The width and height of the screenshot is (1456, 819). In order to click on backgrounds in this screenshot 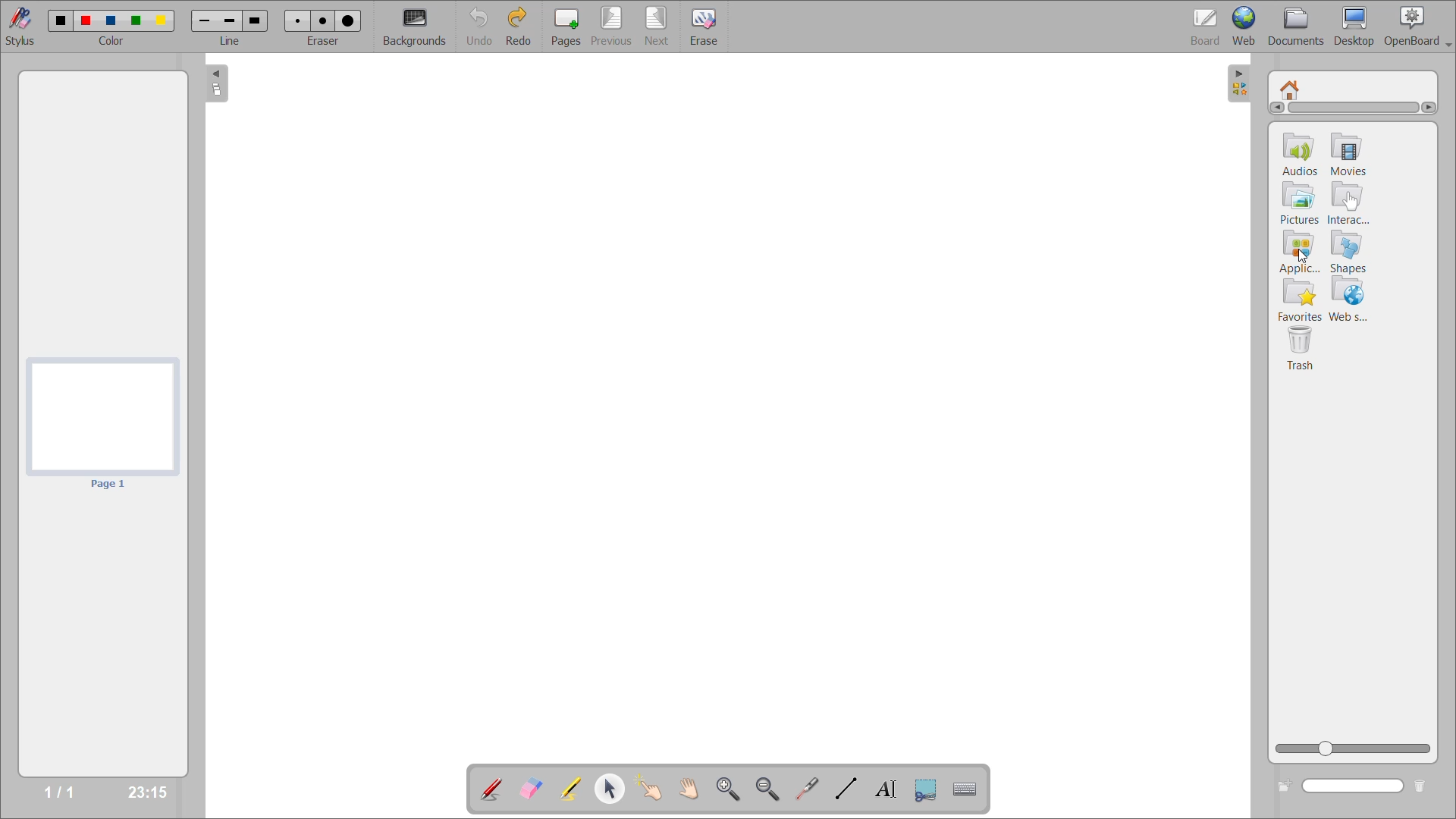, I will do `click(417, 27)`.